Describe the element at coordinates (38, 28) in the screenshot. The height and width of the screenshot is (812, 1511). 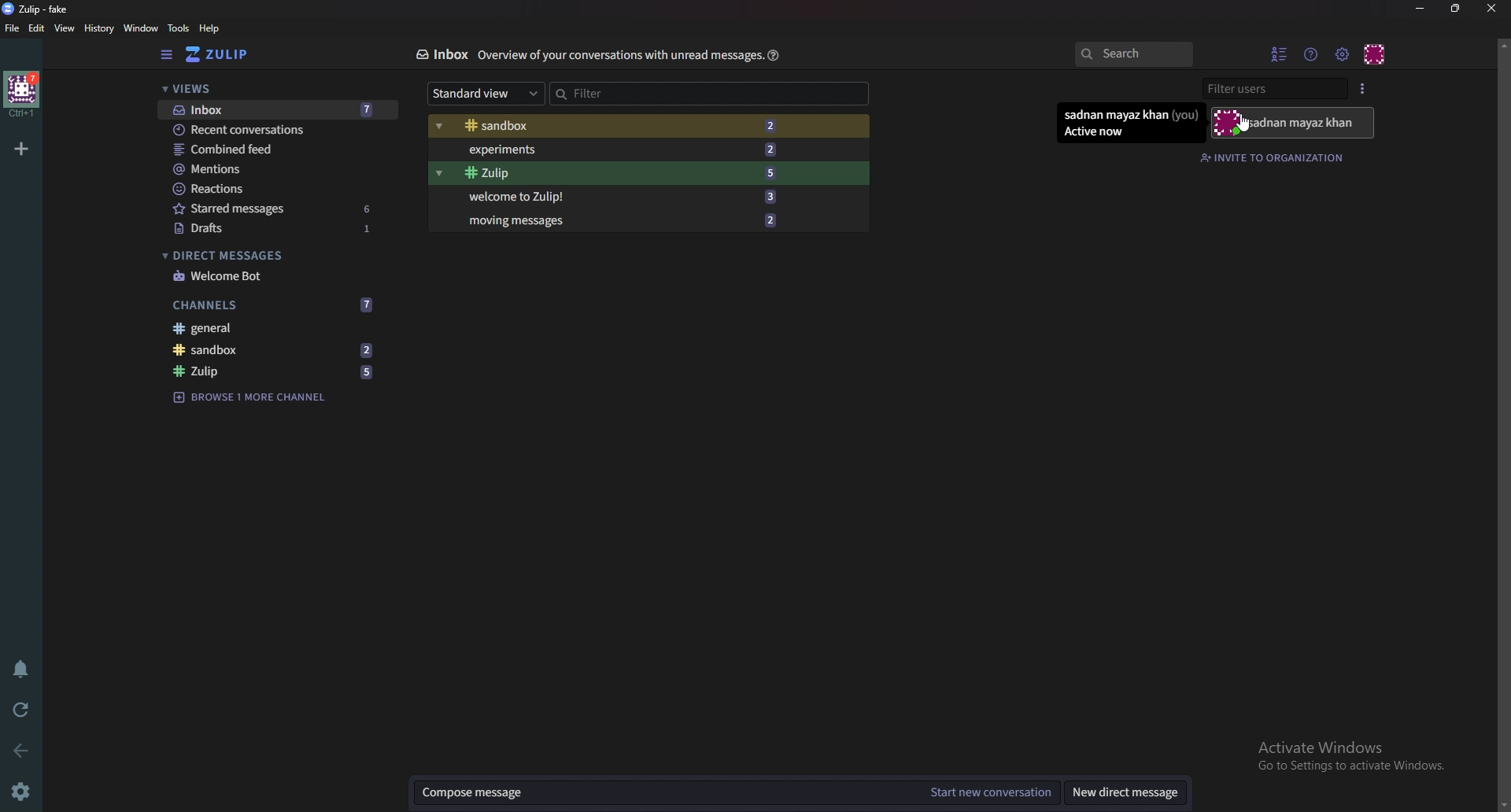
I see `Edit` at that location.